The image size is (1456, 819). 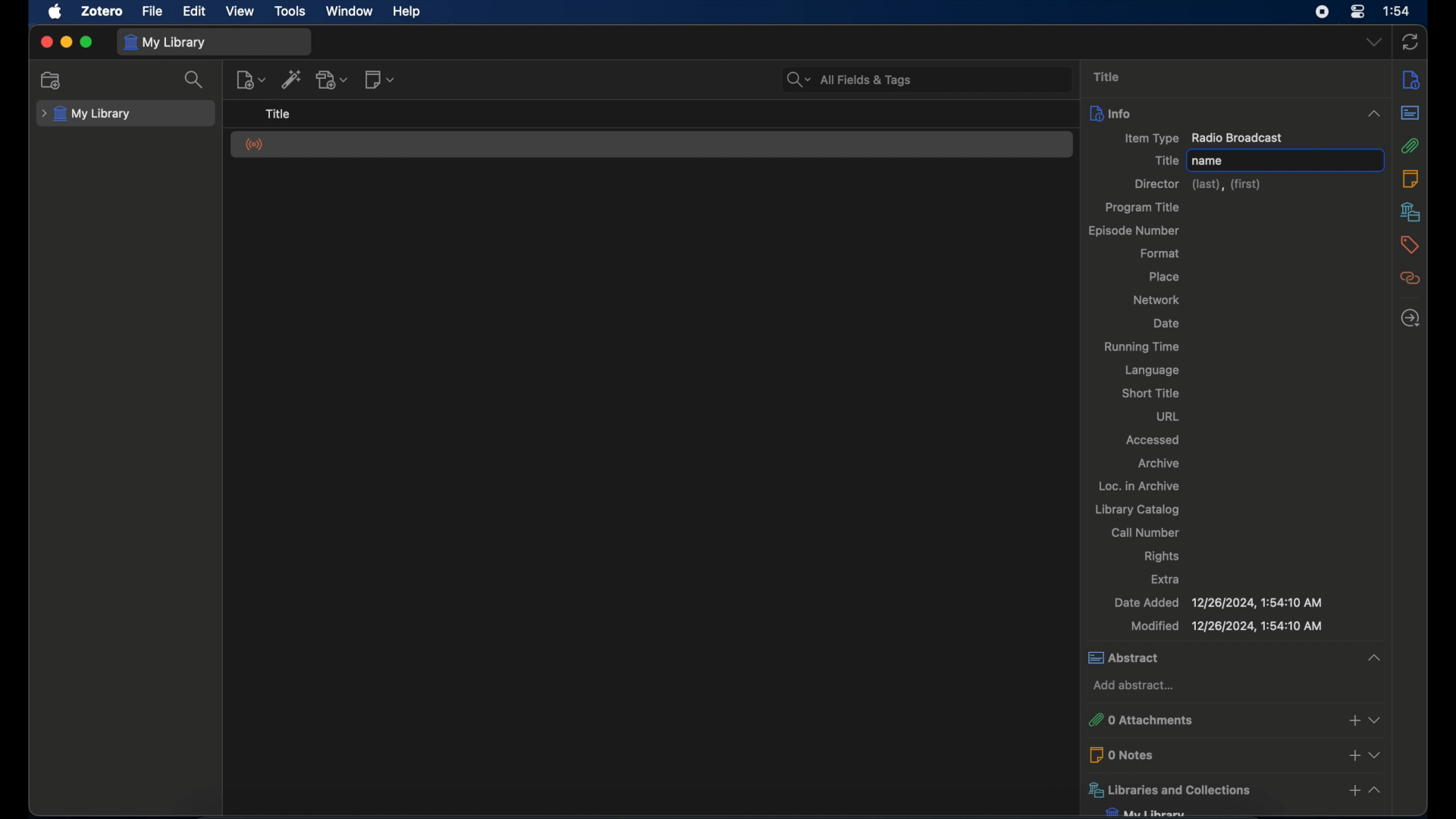 I want to click on 0 notes, so click(x=1238, y=754).